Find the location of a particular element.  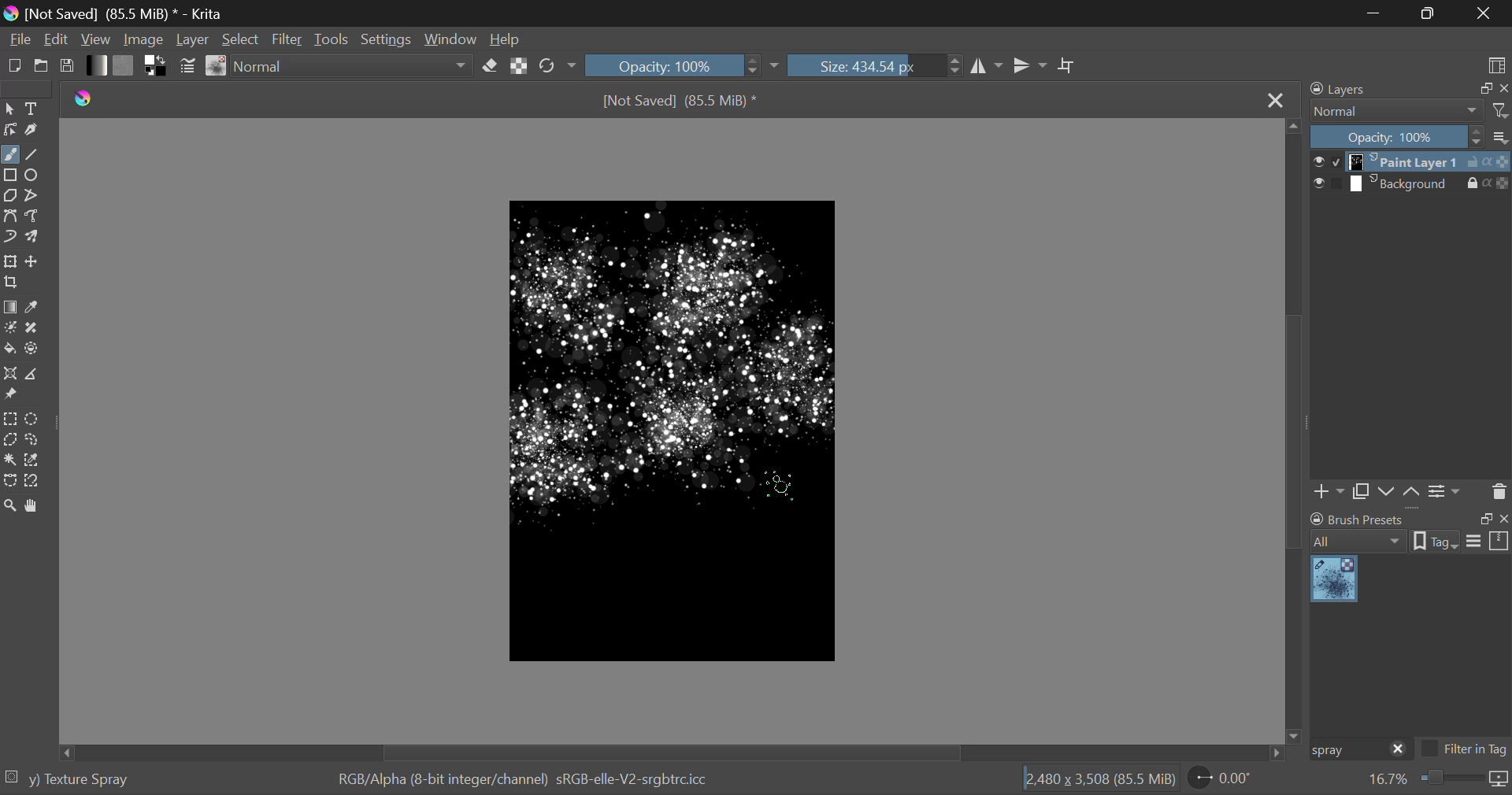

Colors in Use is located at coordinates (157, 66).